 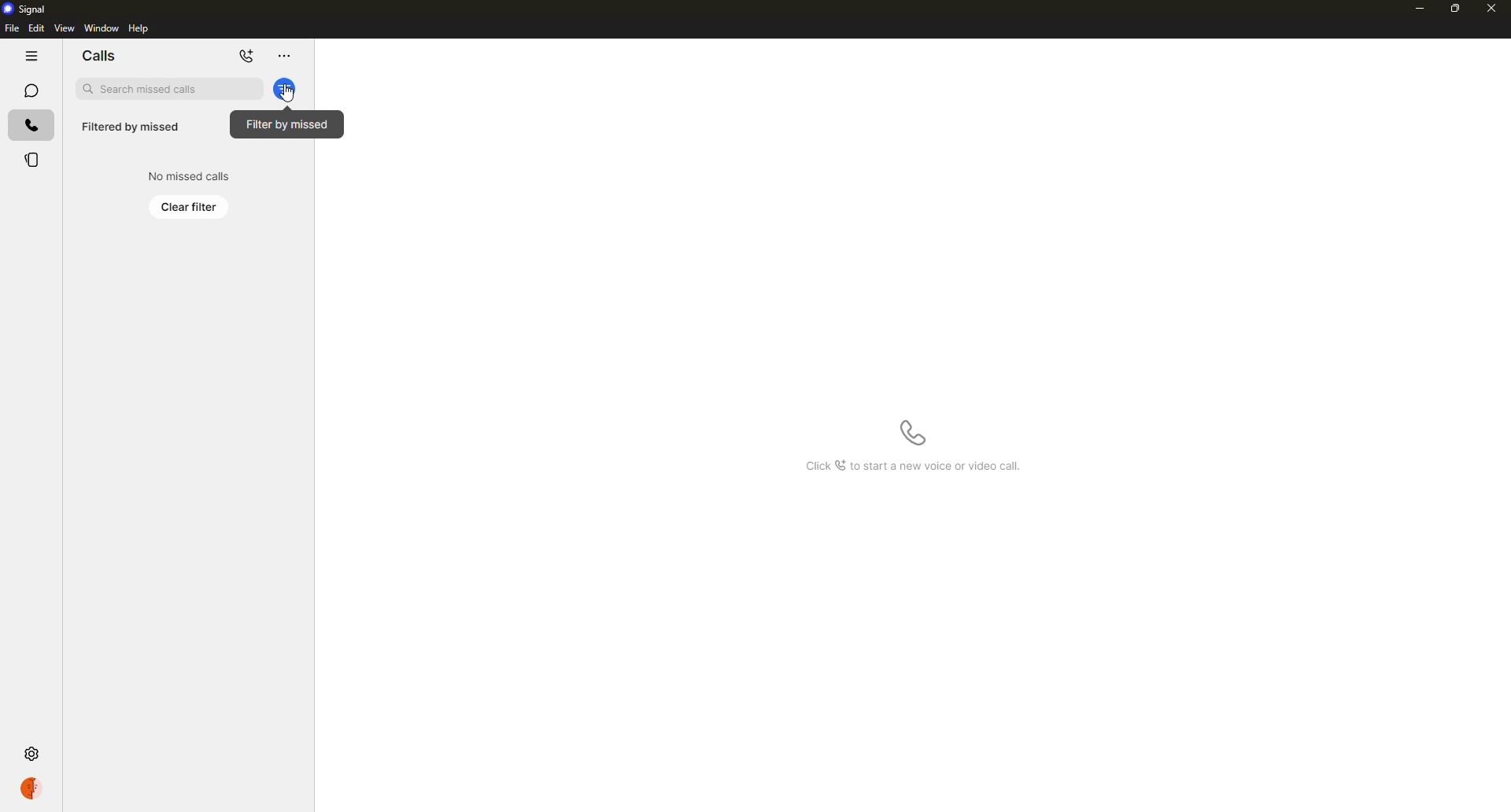 What do you see at coordinates (31, 755) in the screenshot?
I see `settings` at bounding box center [31, 755].